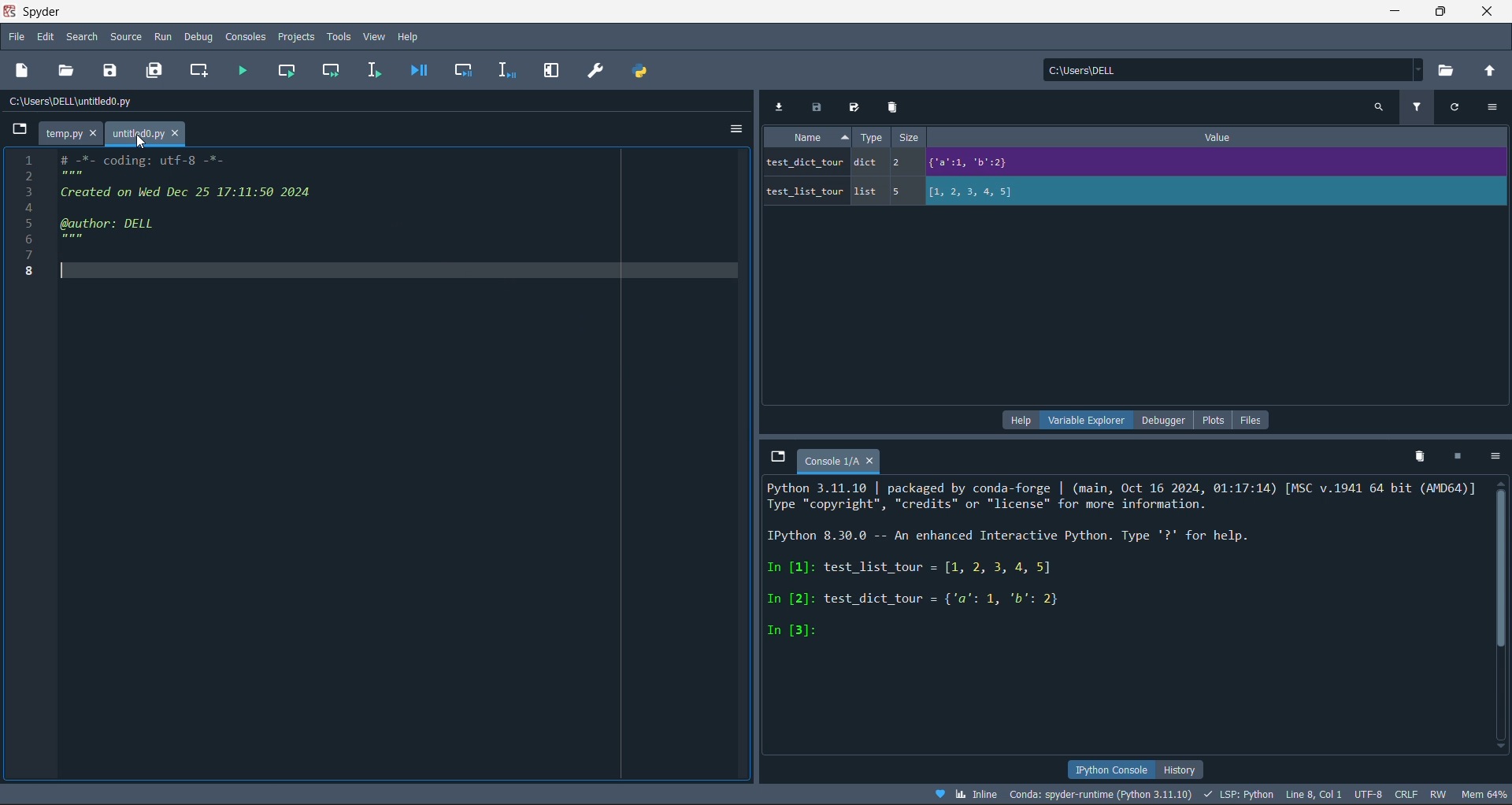 This screenshot has width=1512, height=805. What do you see at coordinates (1316, 795) in the screenshot?
I see `Line 8, Col 1` at bounding box center [1316, 795].